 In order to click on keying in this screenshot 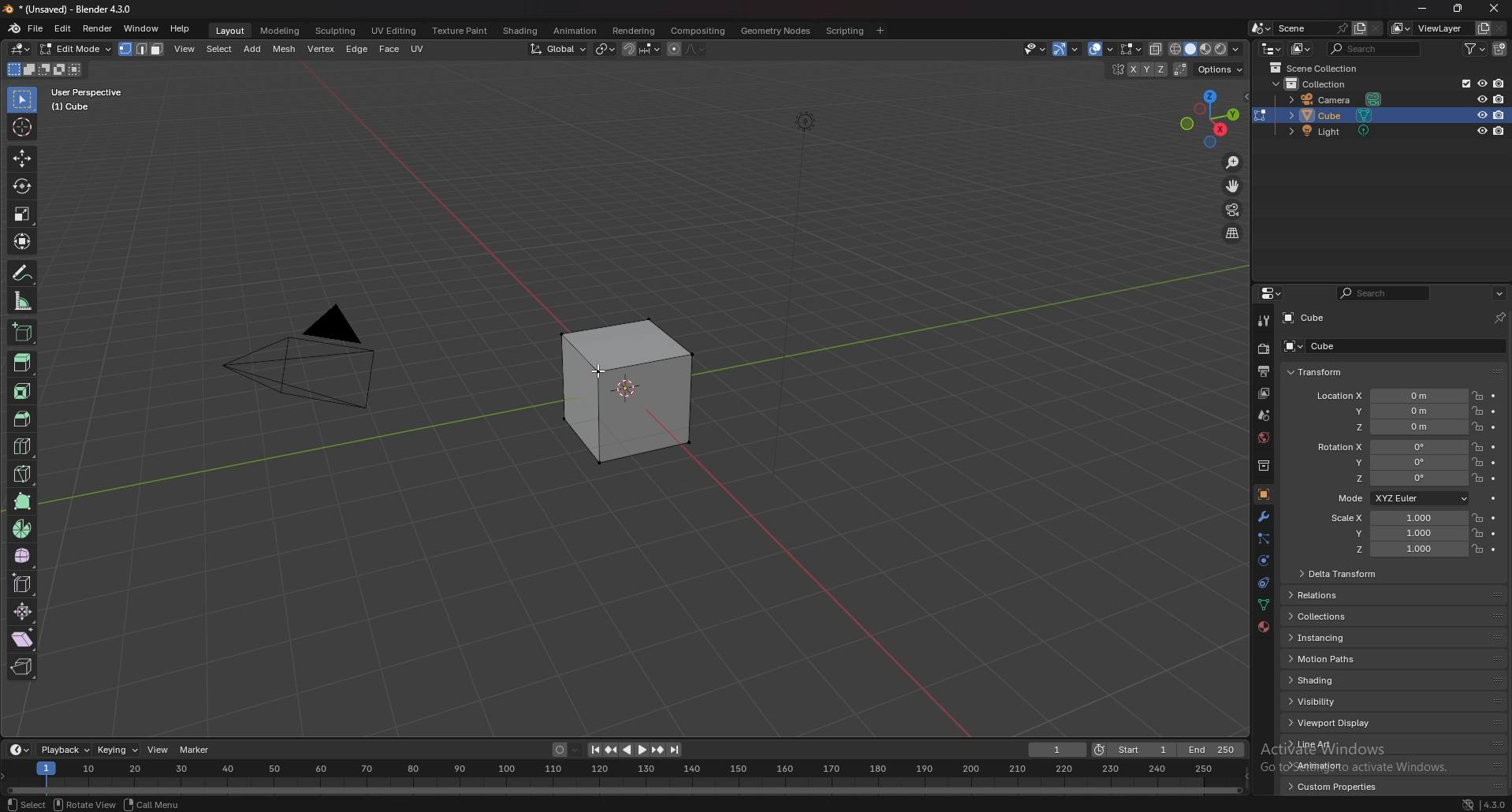, I will do `click(117, 750)`.